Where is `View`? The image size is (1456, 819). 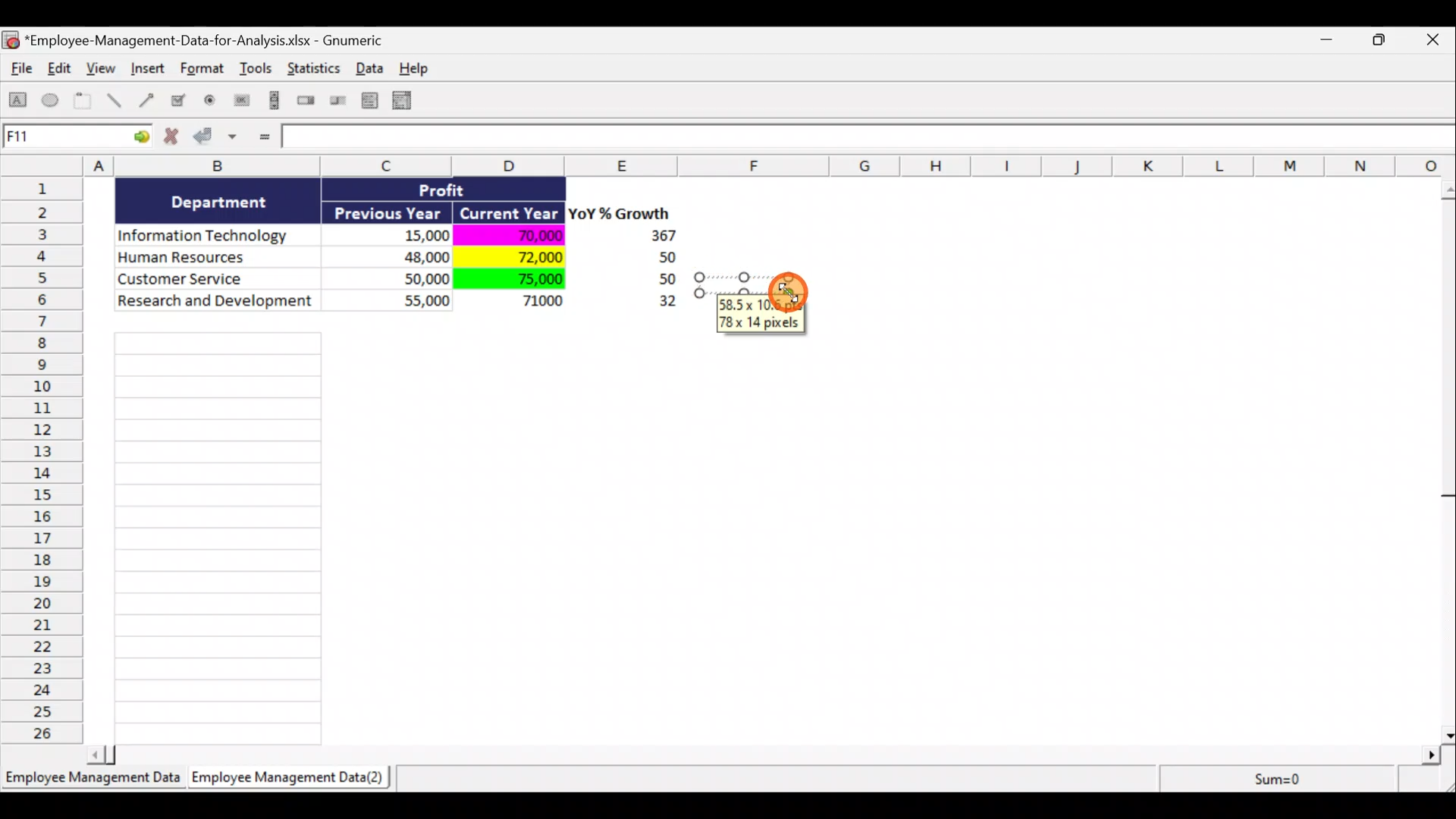 View is located at coordinates (103, 68).